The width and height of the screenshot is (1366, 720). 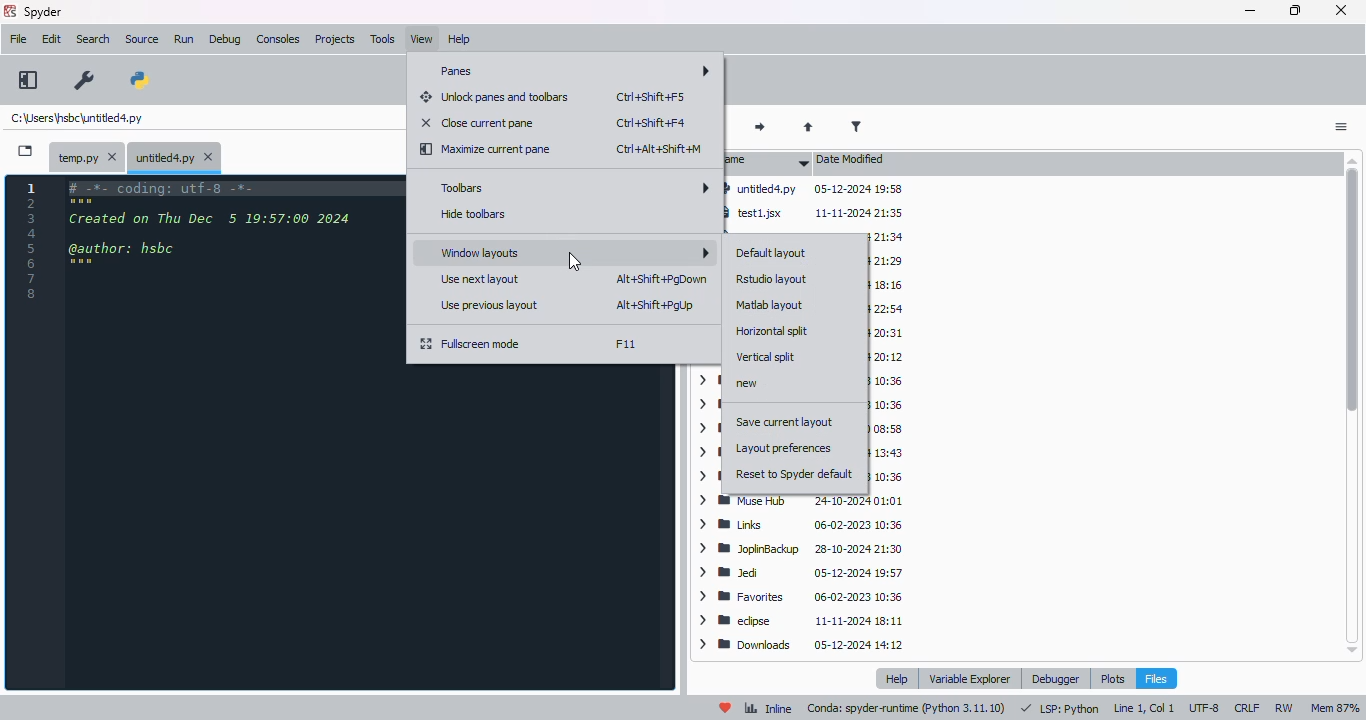 I want to click on shortcut for maximize current pane, so click(x=658, y=149).